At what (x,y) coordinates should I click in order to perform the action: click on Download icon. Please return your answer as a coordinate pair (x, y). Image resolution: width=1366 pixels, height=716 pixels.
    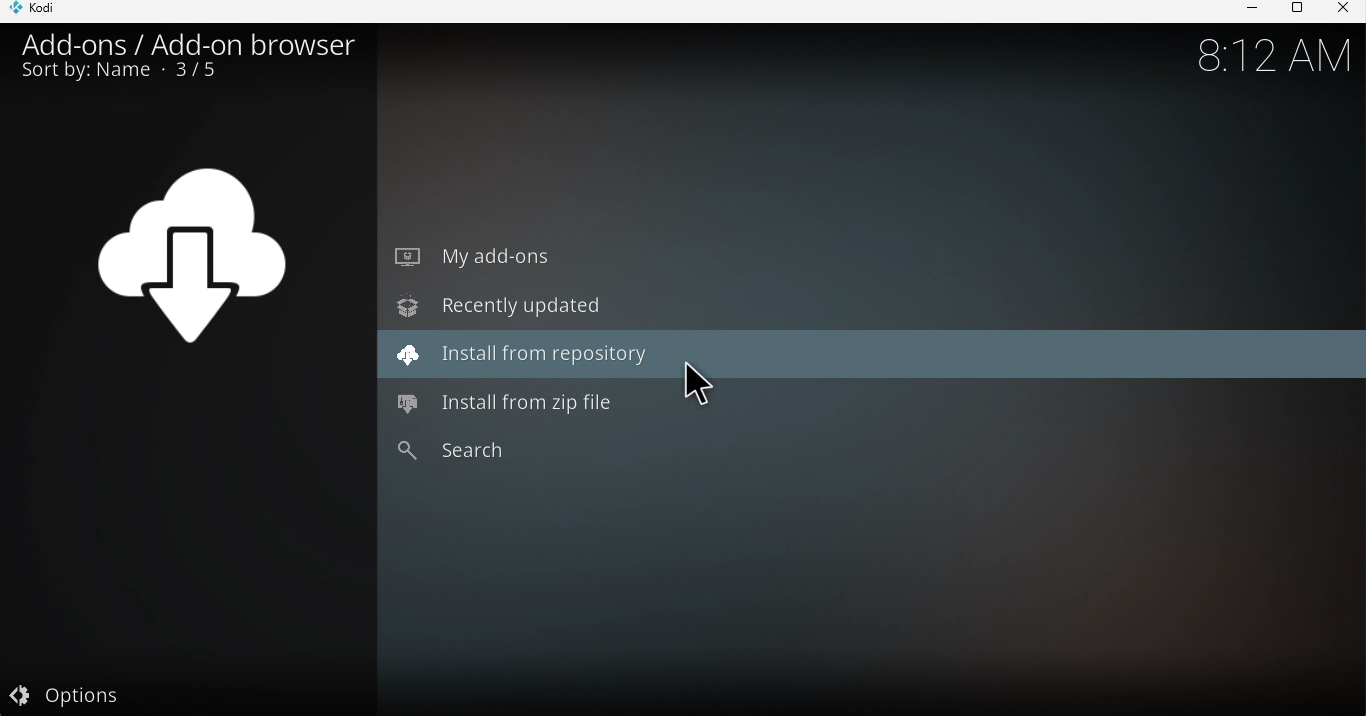
    Looking at the image, I should click on (187, 258).